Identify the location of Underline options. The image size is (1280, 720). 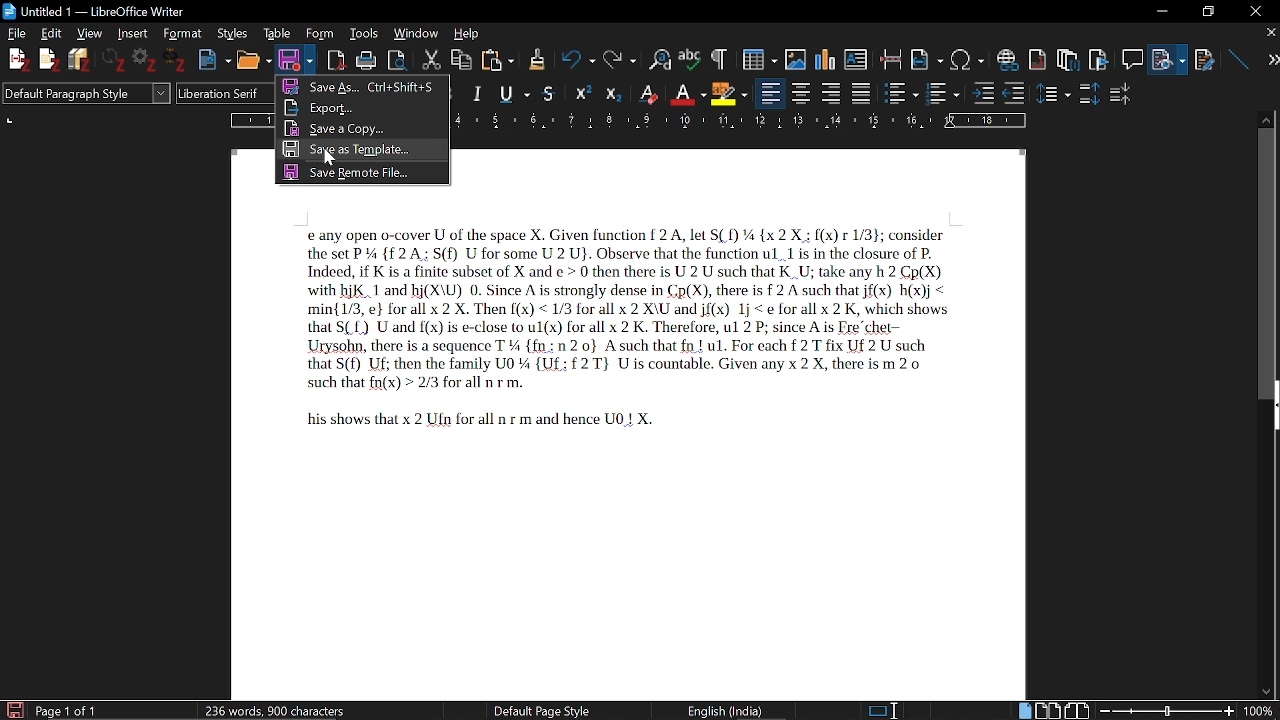
(512, 91).